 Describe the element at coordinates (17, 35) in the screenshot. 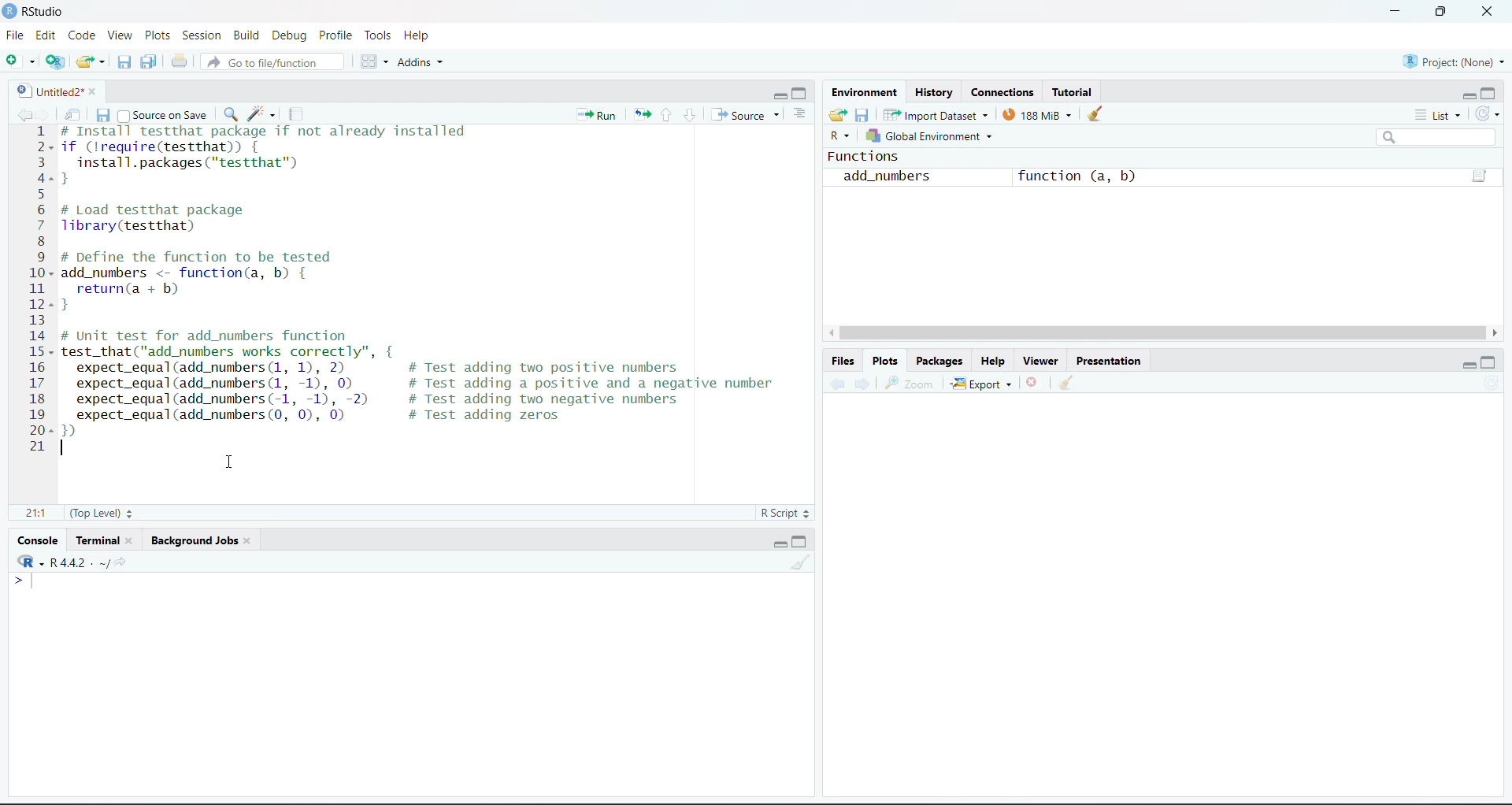

I see `File` at that location.